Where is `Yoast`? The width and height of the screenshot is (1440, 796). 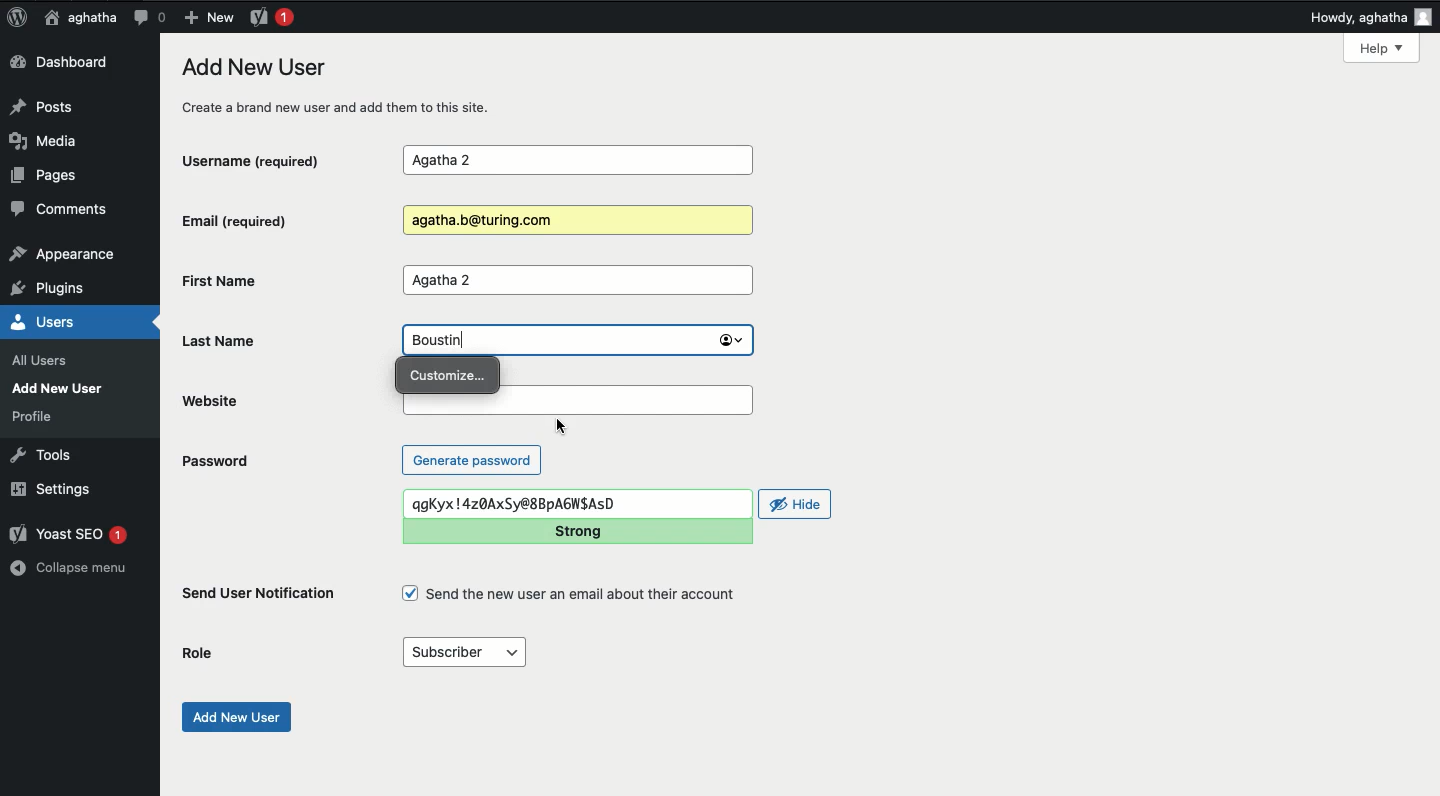
Yoast is located at coordinates (270, 16).